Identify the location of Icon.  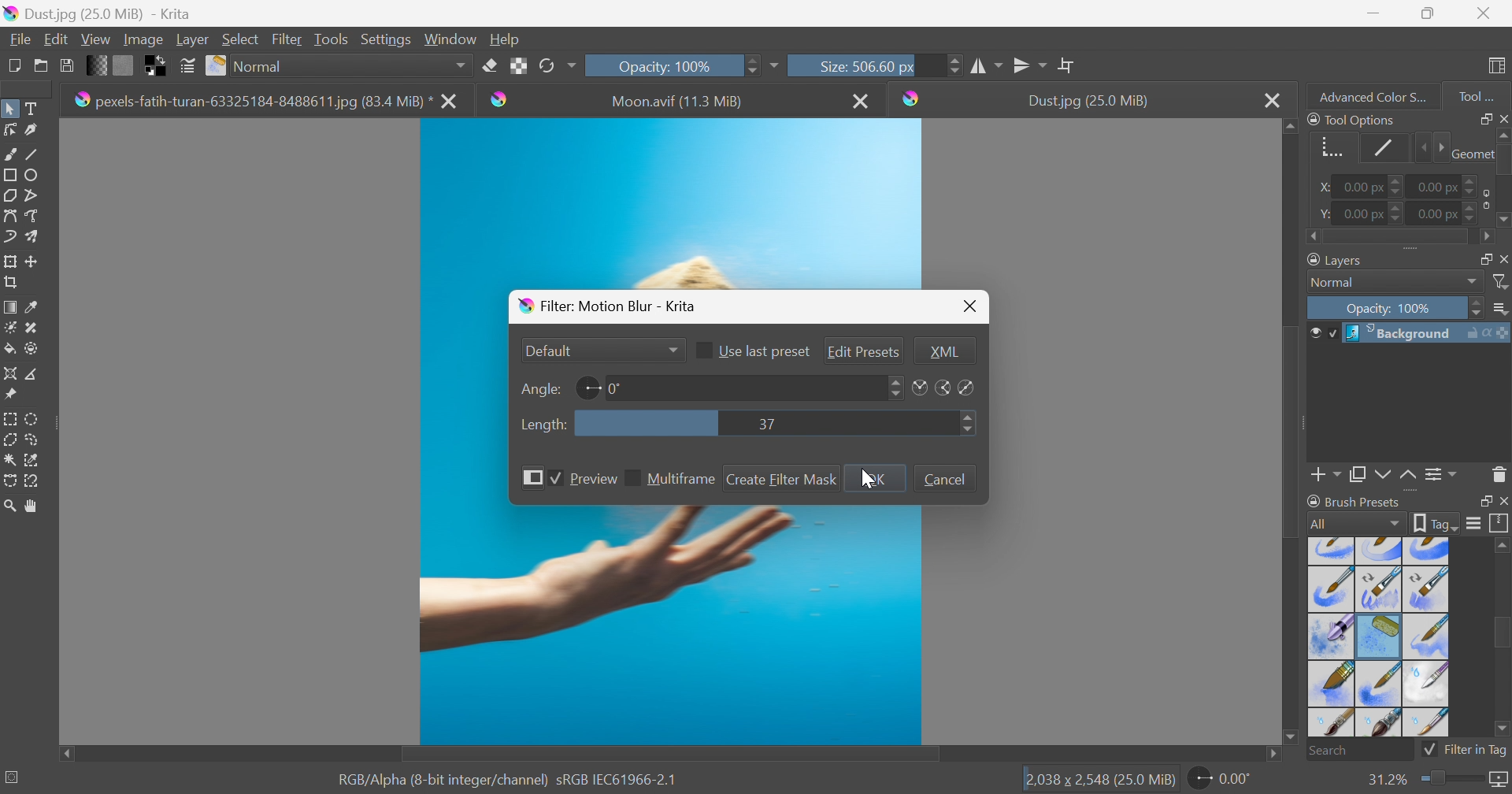
(1483, 198).